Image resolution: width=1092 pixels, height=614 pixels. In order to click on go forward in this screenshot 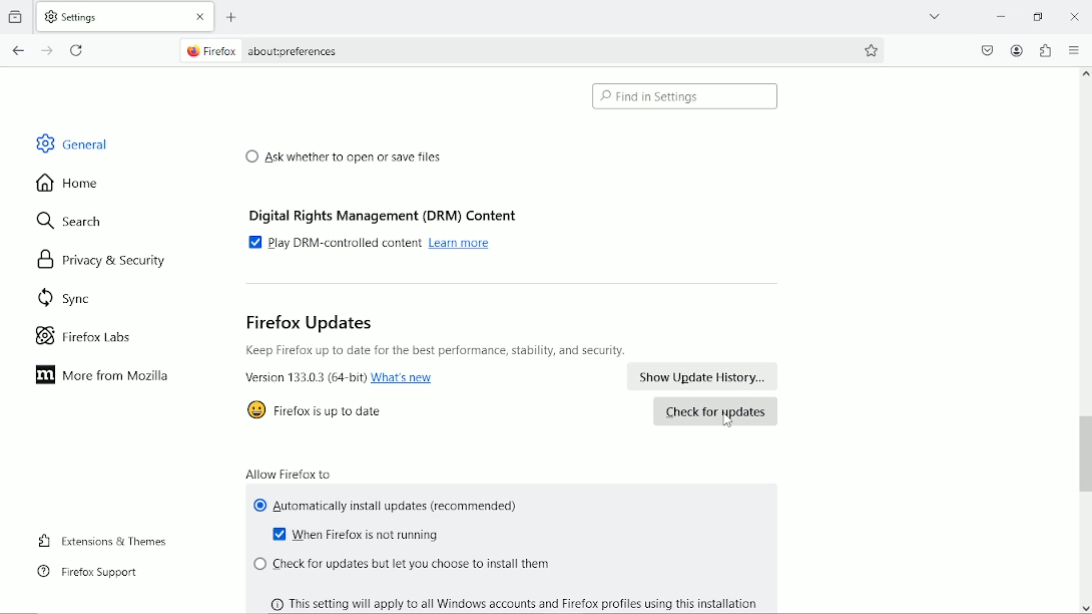, I will do `click(47, 51)`.